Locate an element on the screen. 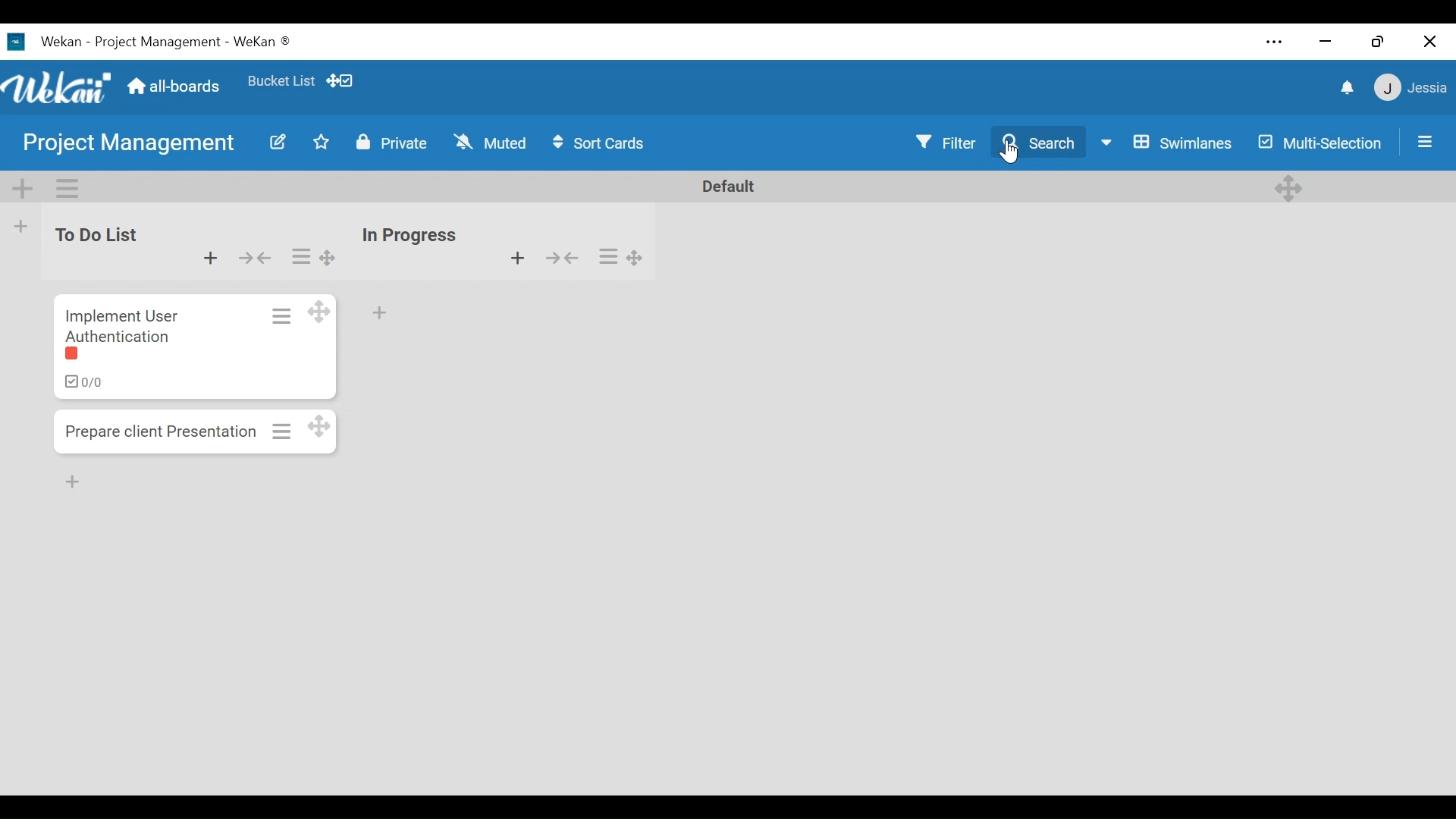 The image size is (1456, 819). Home (all boards) is located at coordinates (178, 86).